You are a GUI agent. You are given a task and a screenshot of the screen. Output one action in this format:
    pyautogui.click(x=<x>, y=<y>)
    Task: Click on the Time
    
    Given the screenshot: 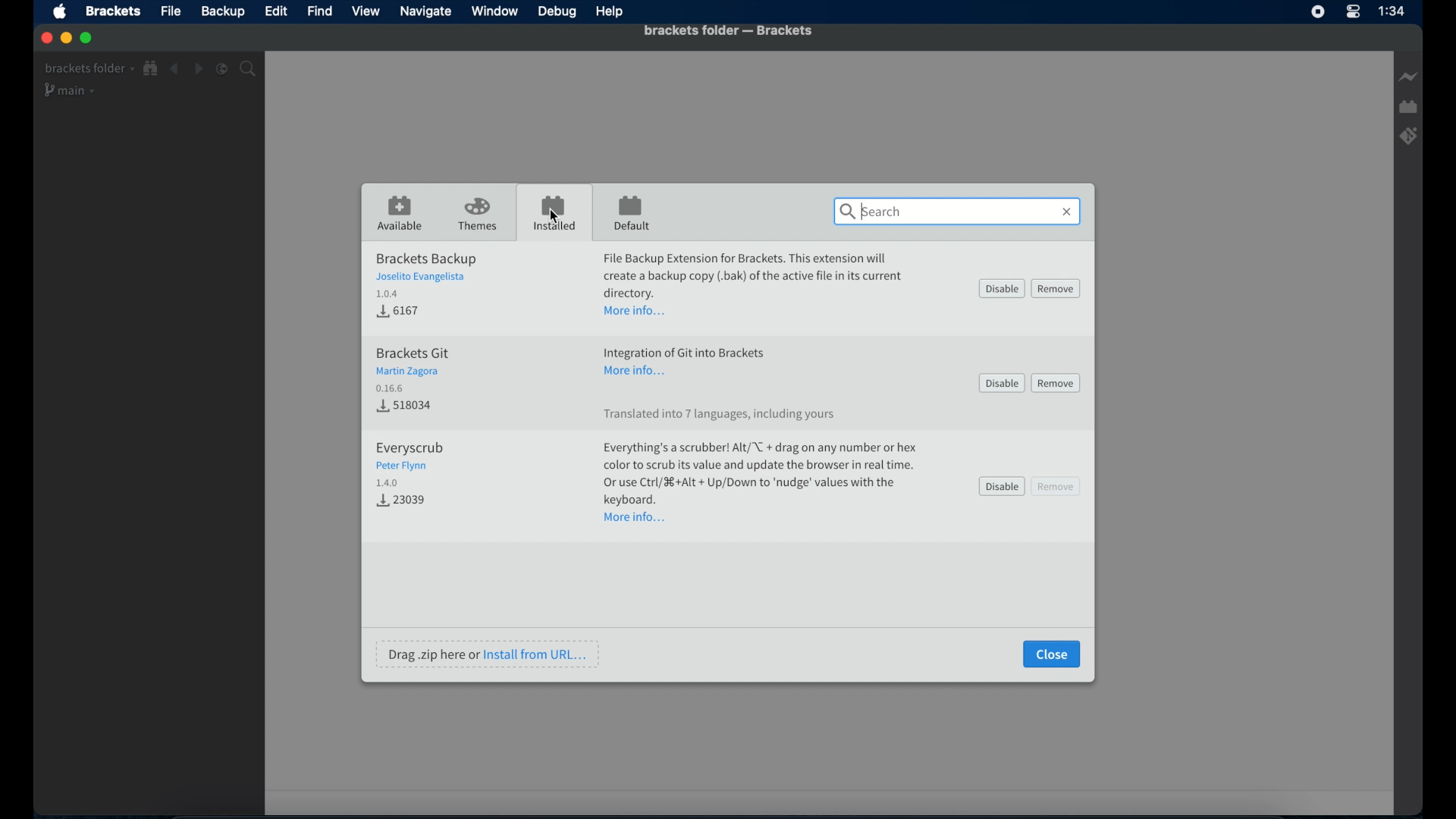 What is the action you would take?
    pyautogui.click(x=1392, y=11)
    